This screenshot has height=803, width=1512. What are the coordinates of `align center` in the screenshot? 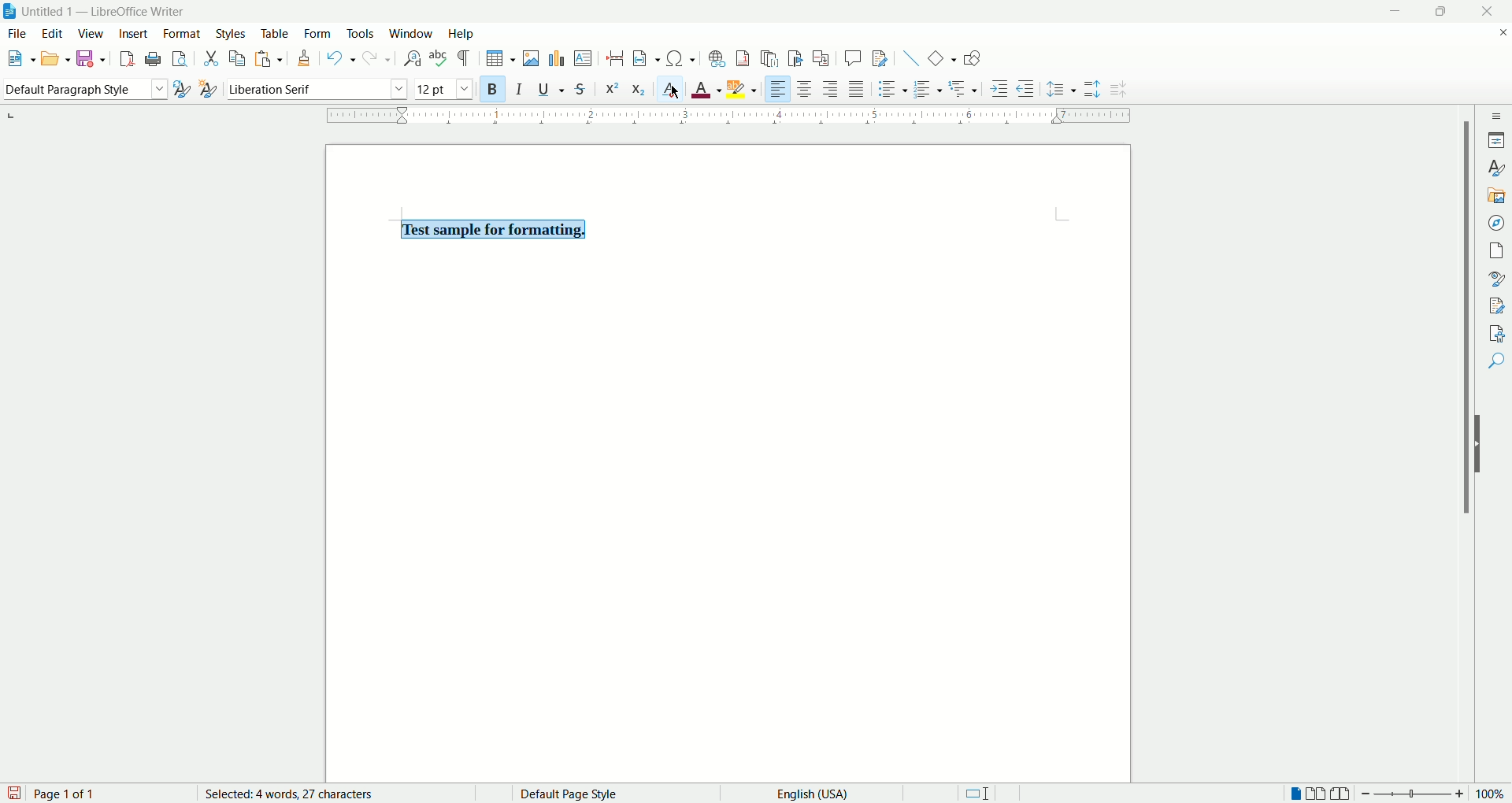 It's located at (803, 90).